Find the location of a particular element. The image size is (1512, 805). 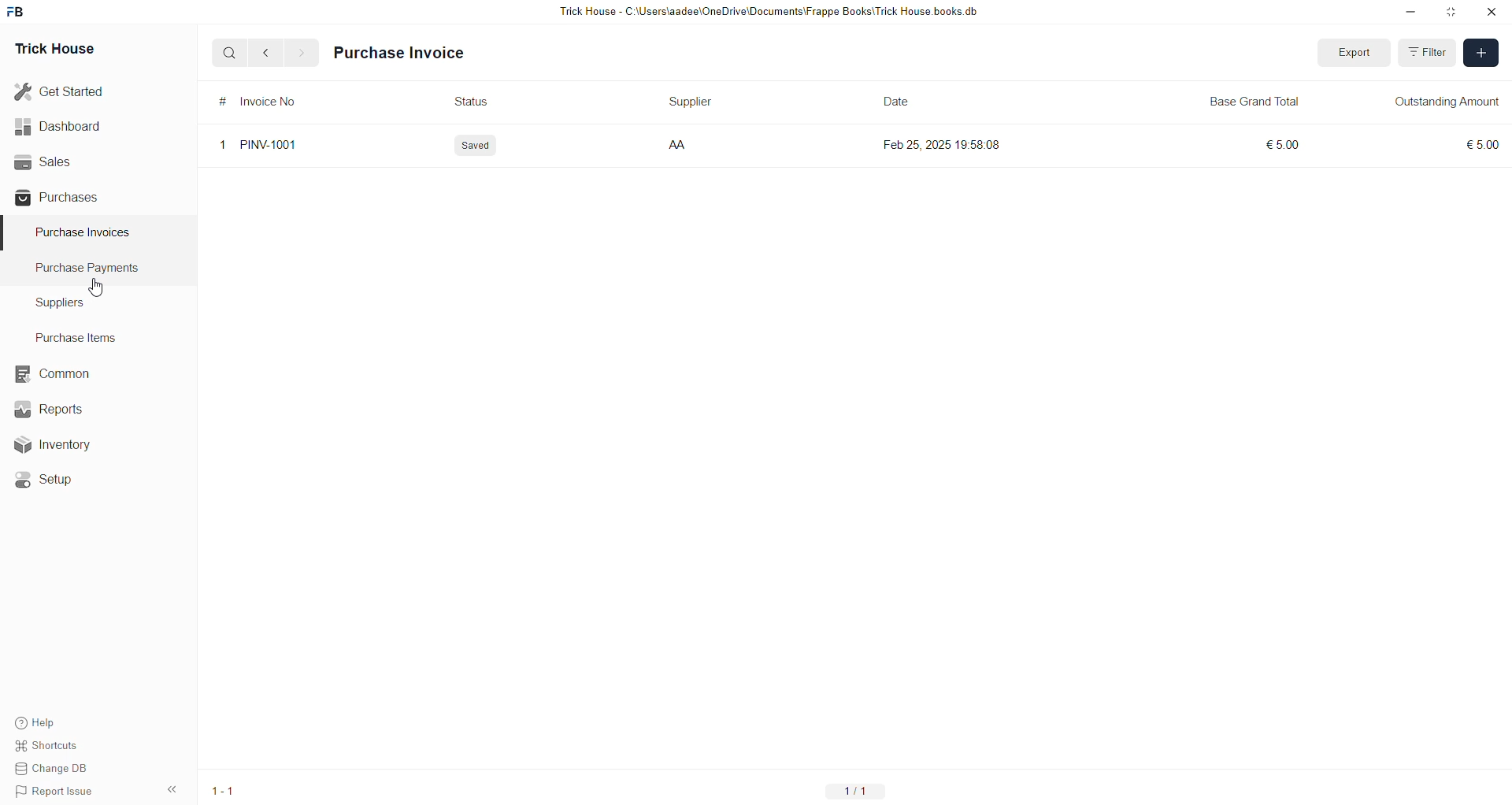

search is located at coordinates (231, 53).